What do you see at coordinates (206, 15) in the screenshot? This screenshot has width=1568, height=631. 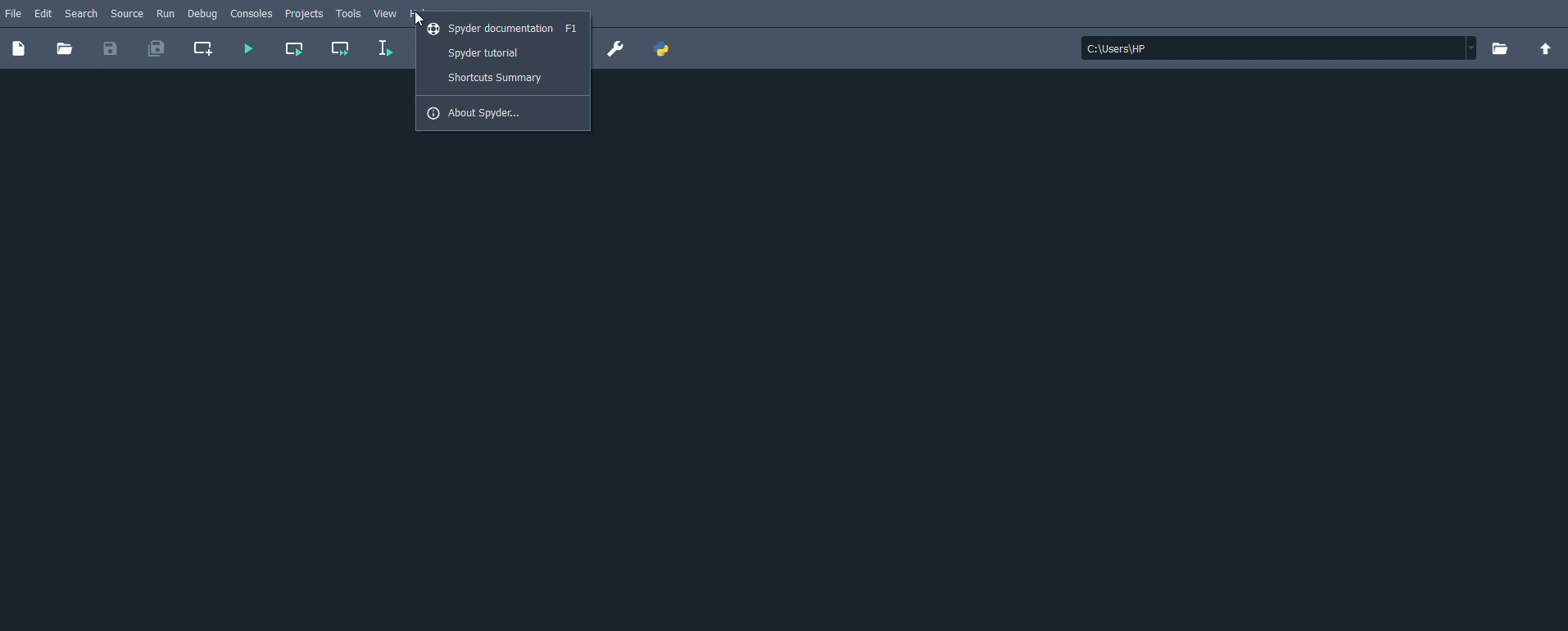 I see `Debug` at bounding box center [206, 15].